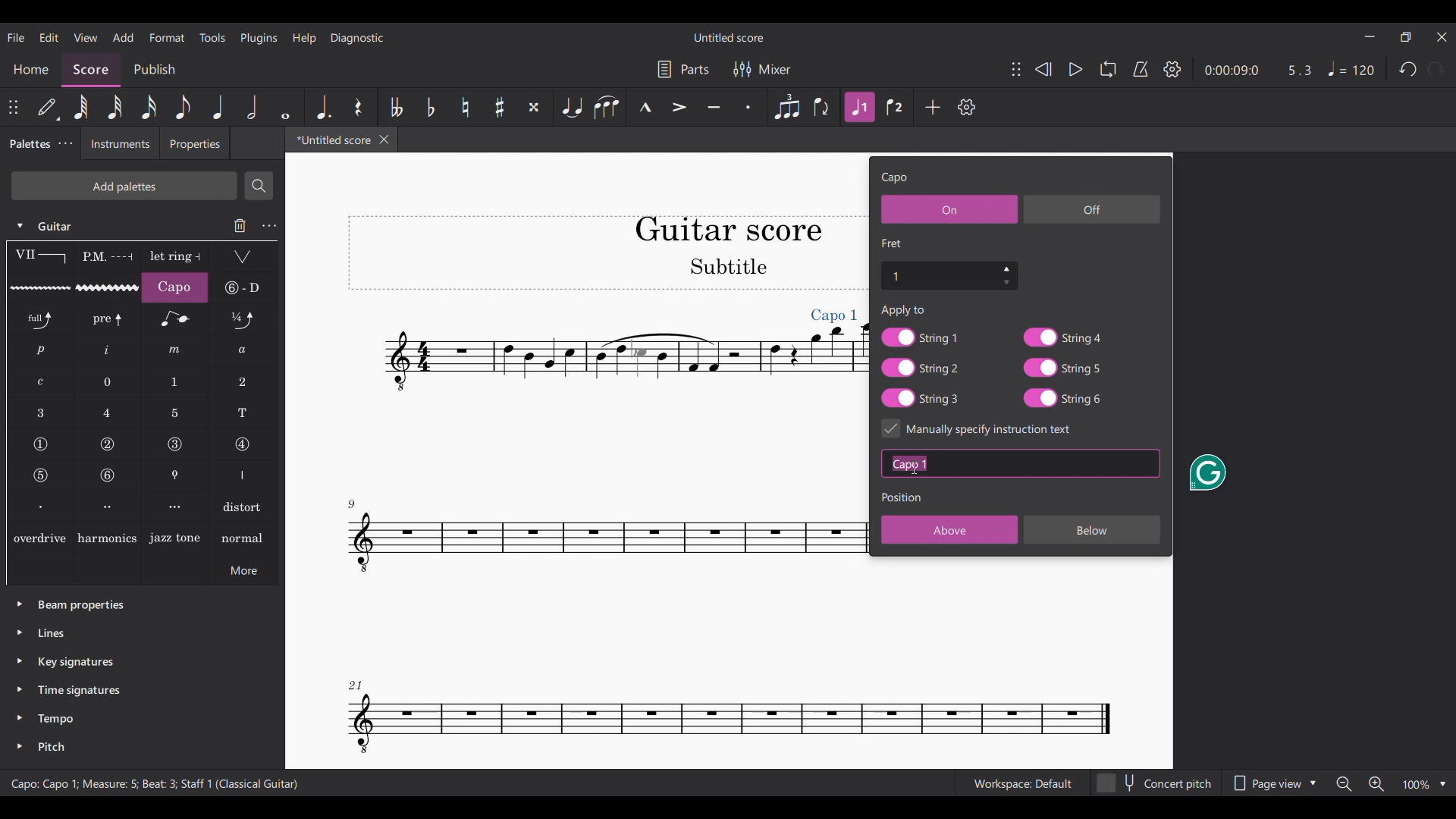 The width and height of the screenshot is (1456, 819). Describe the element at coordinates (244, 506) in the screenshot. I see `Distort` at that location.